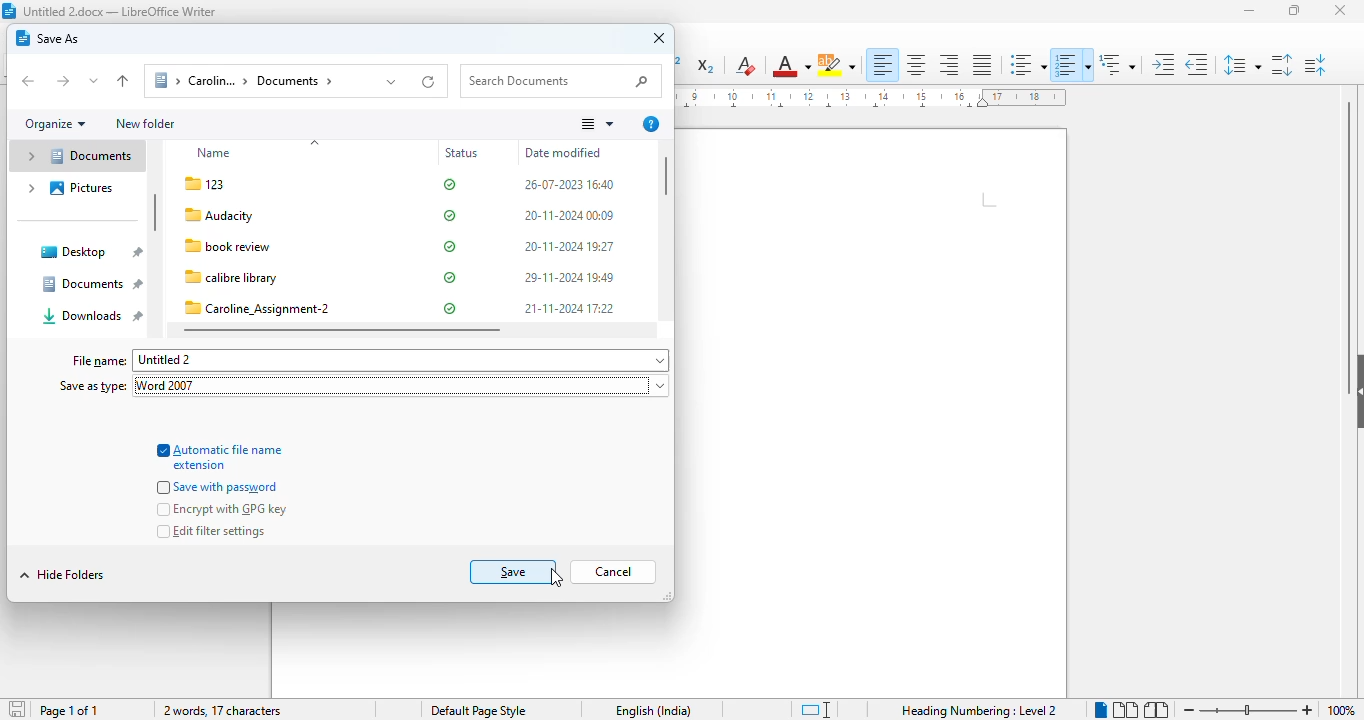 The image size is (1364, 720). What do you see at coordinates (1072, 65) in the screenshot?
I see `toggle ordered list` at bounding box center [1072, 65].